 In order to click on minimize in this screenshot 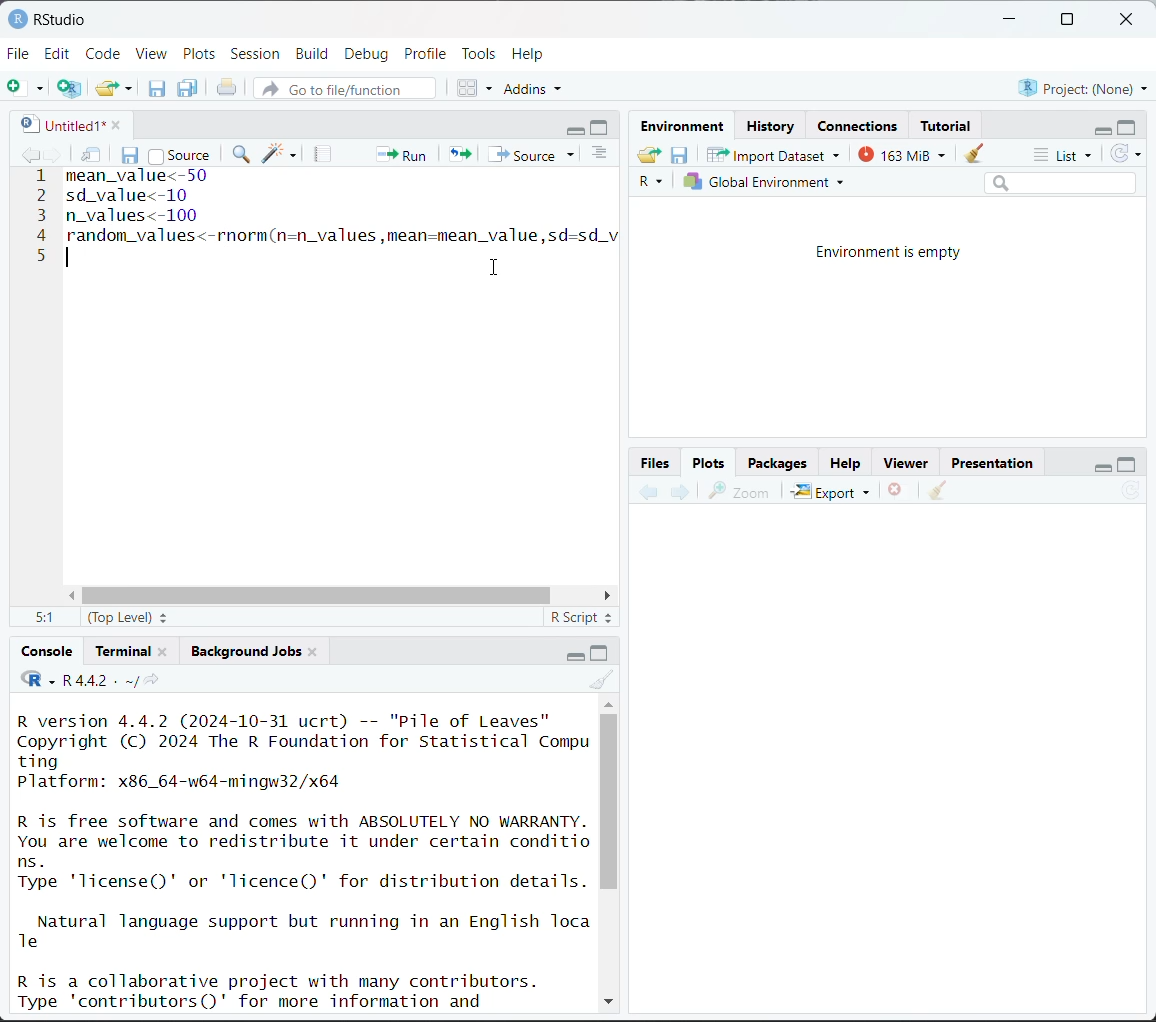, I will do `click(1099, 128)`.